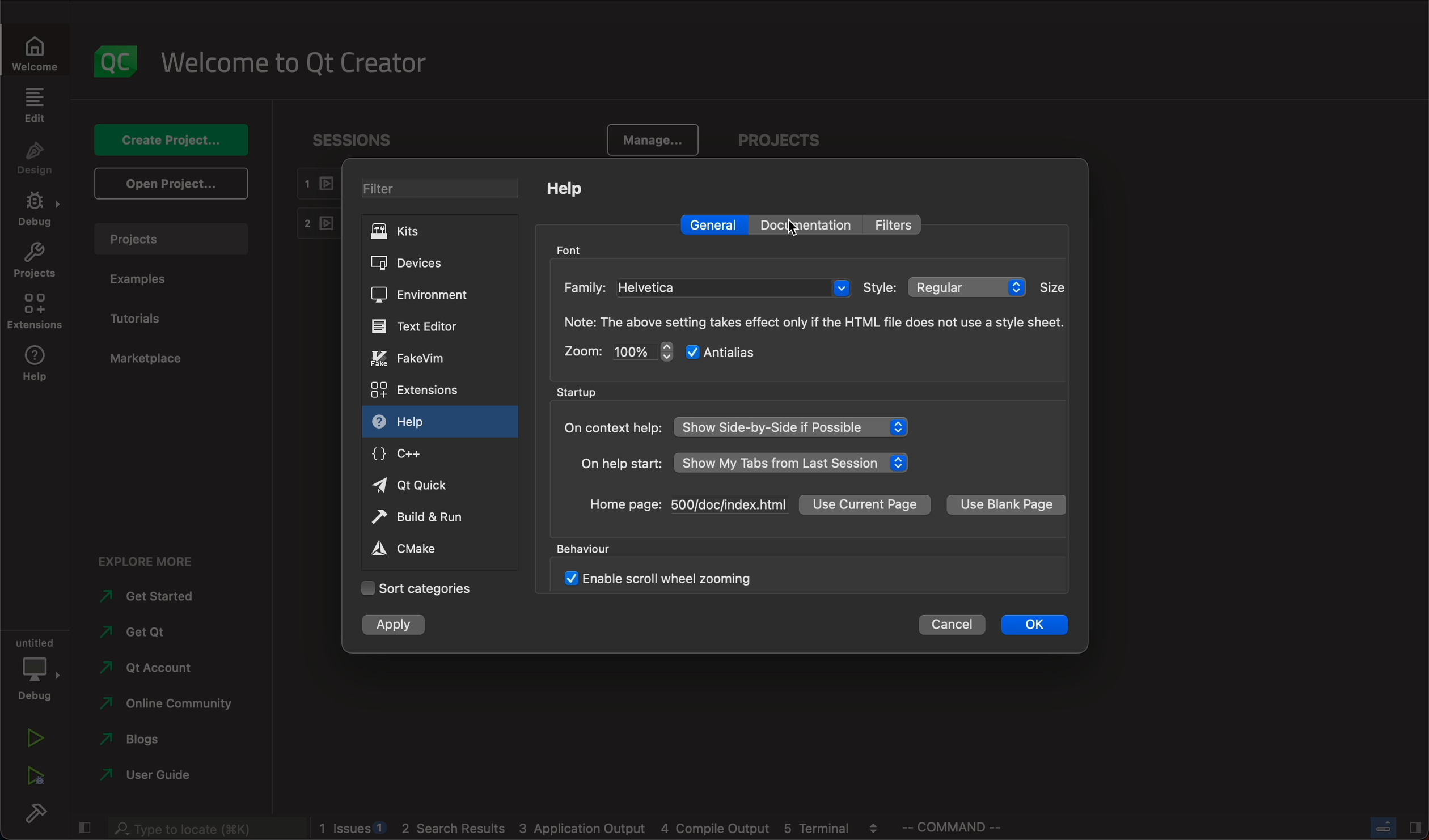  What do you see at coordinates (686, 506) in the screenshot?
I see `home page` at bounding box center [686, 506].